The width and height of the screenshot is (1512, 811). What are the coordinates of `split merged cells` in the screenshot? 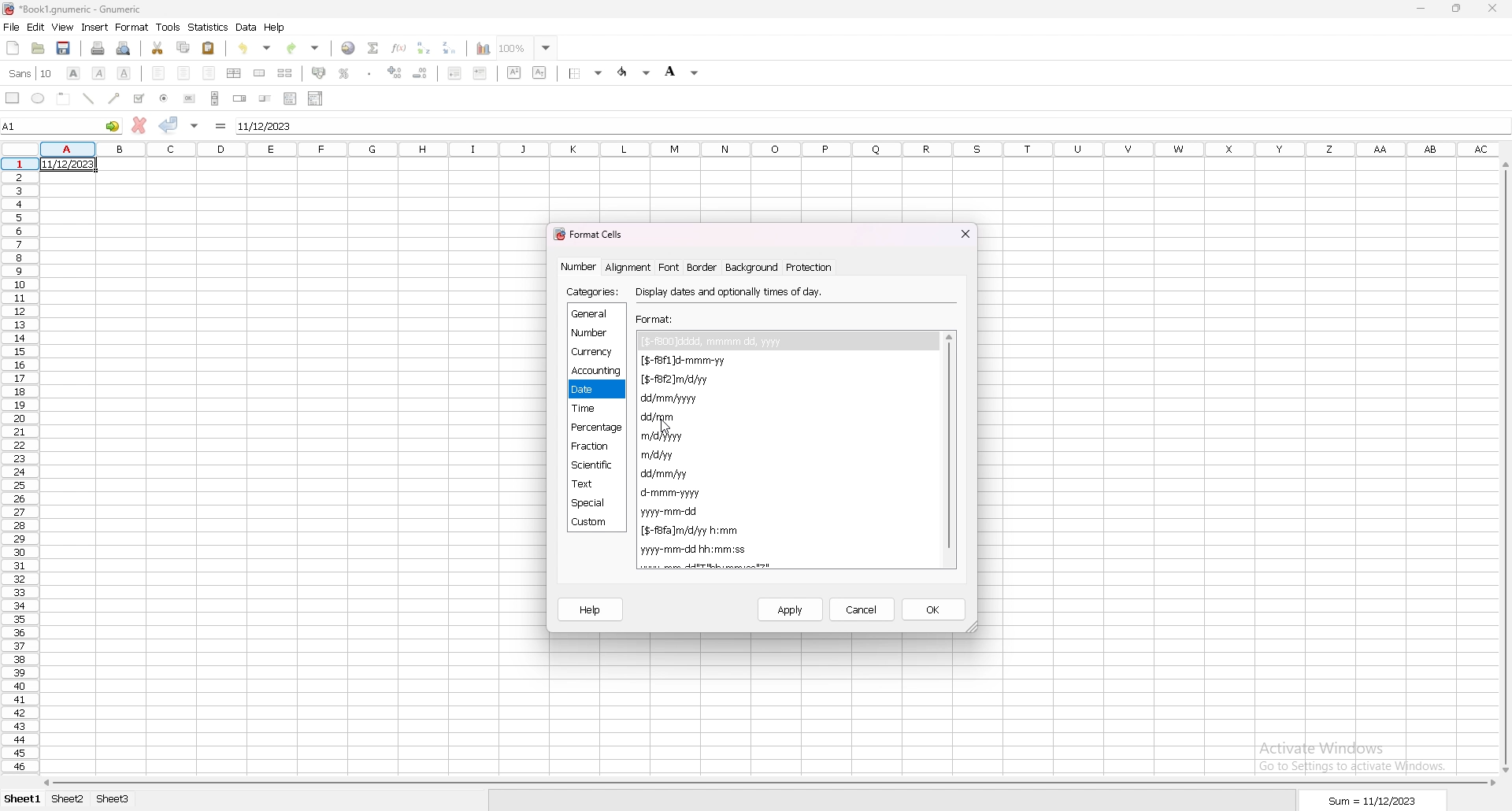 It's located at (287, 73).